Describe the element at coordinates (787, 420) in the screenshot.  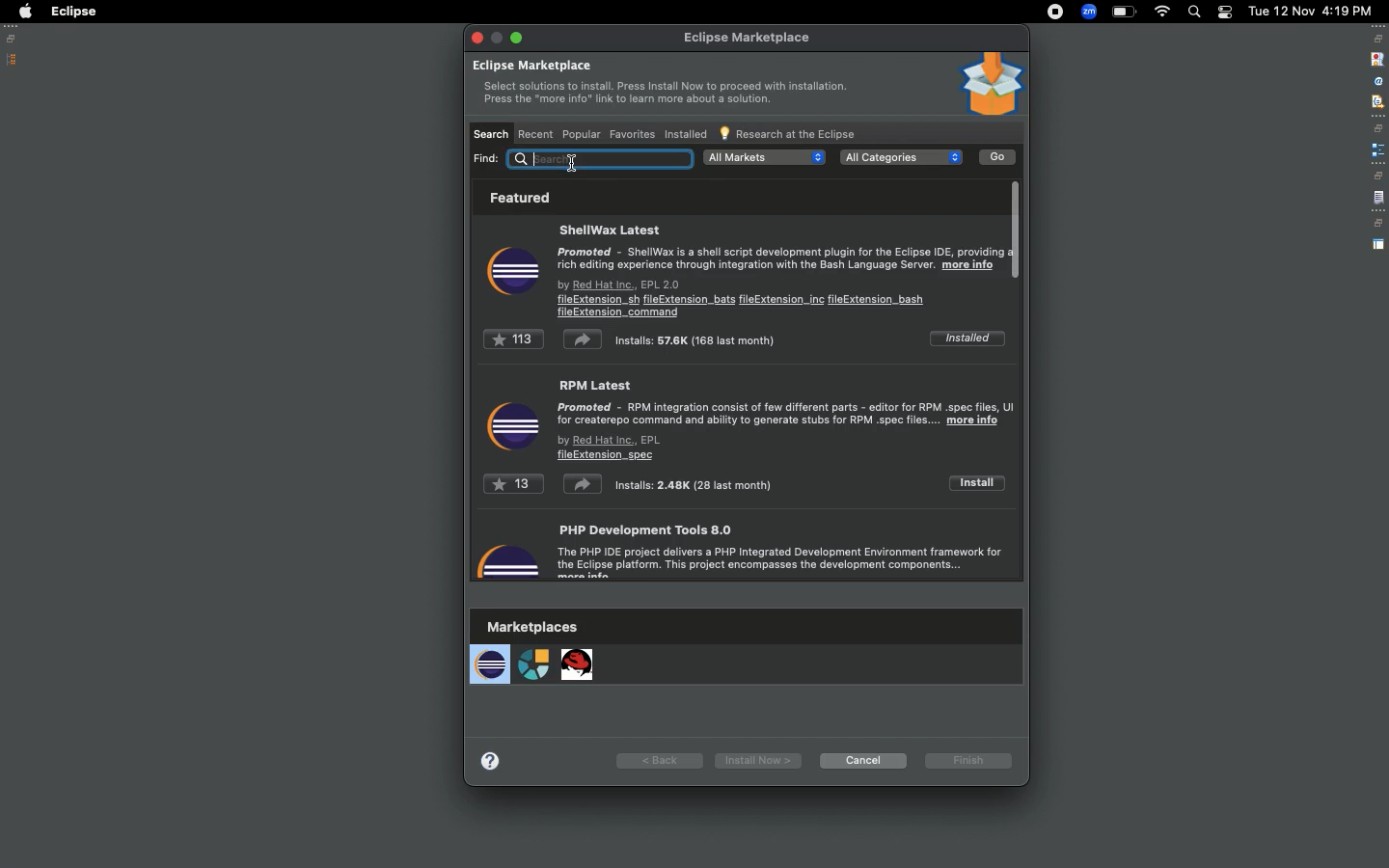
I see `RPM latest` at that location.